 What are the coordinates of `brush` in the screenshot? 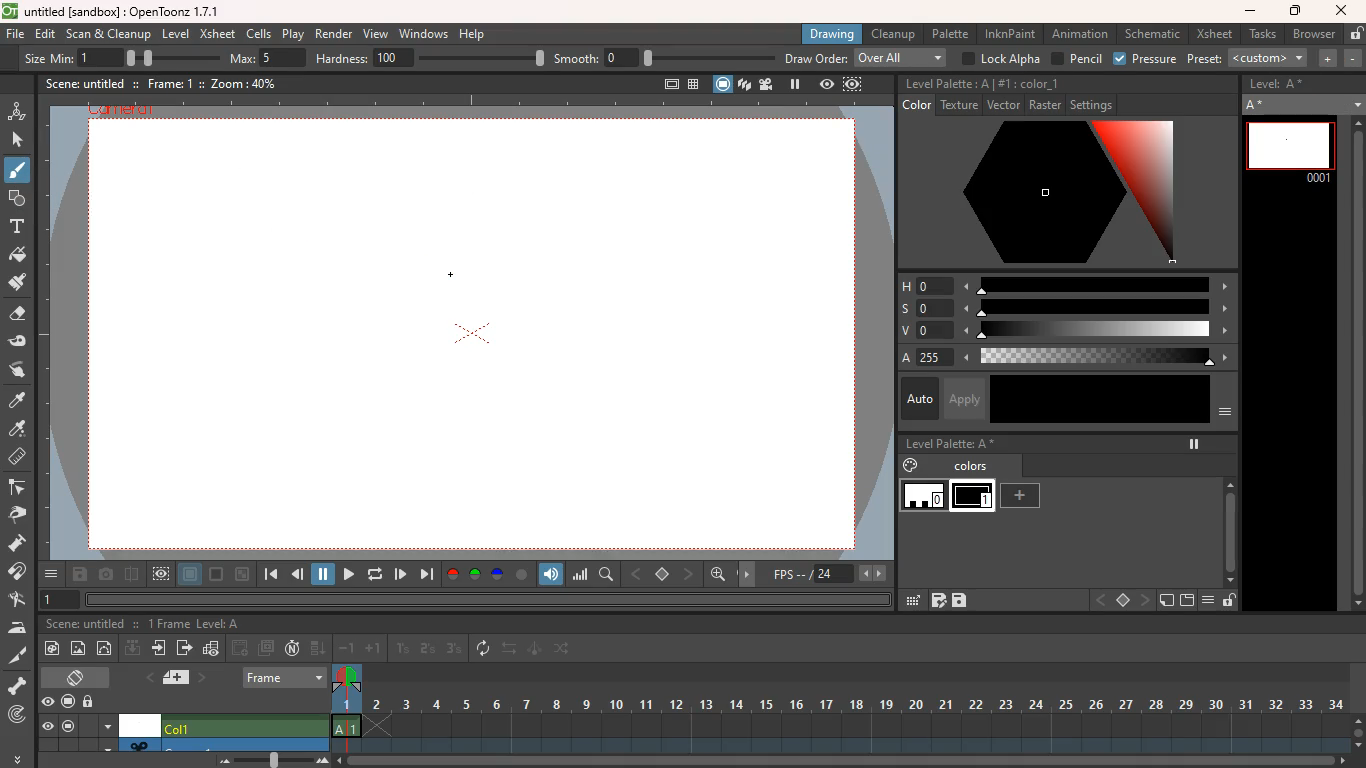 It's located at (16, 174).